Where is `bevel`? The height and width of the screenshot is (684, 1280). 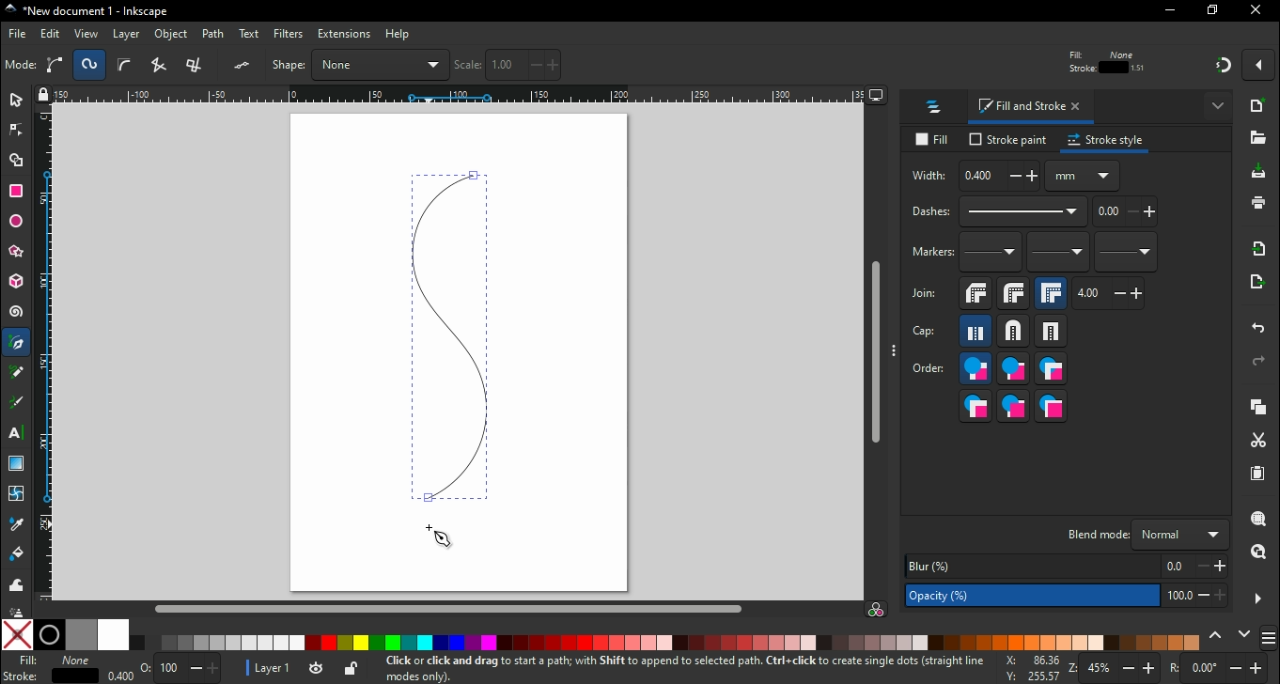
bevel is located at coordinates (975, 297).